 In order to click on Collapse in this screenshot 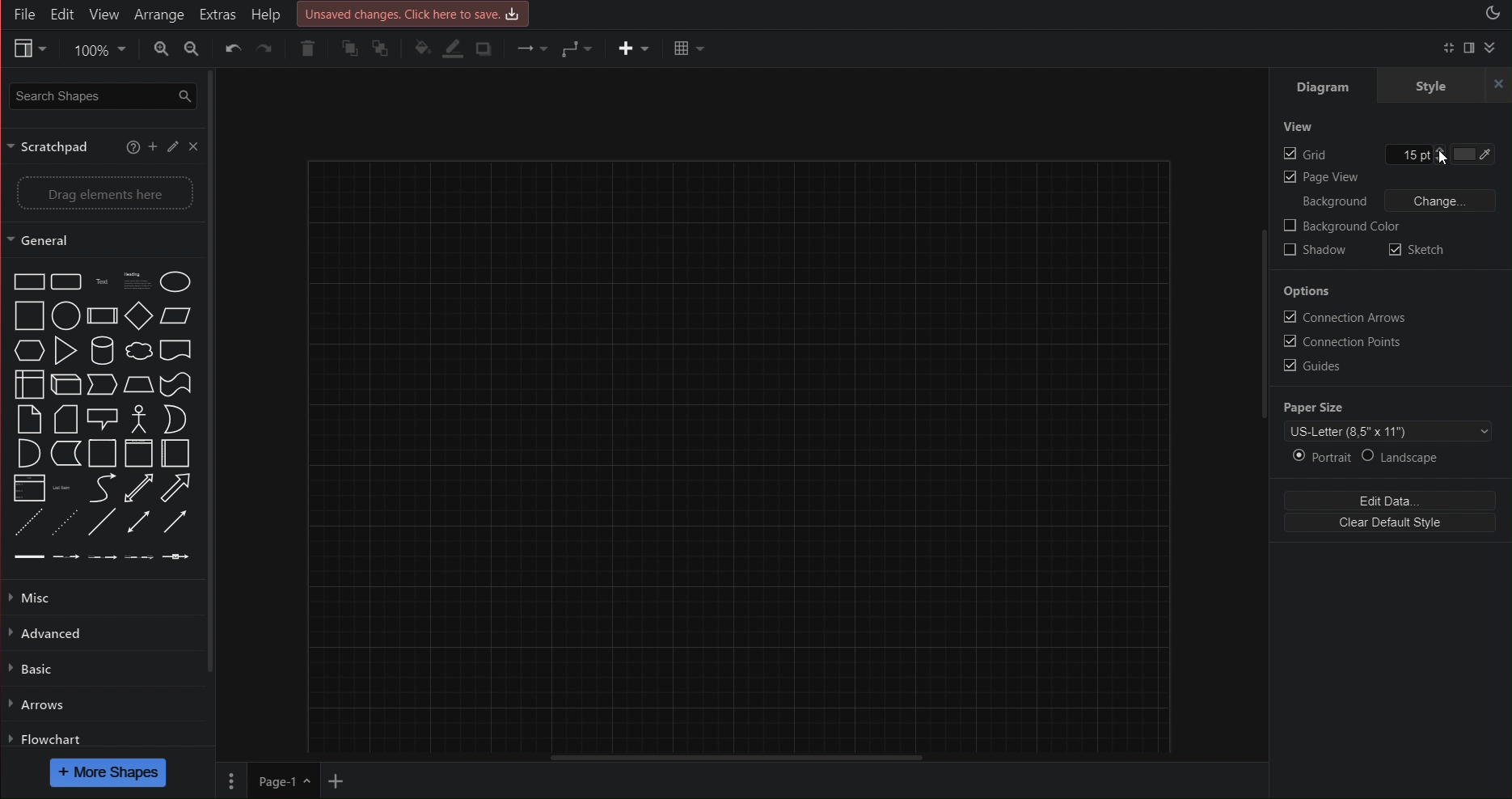, I will do `click(1492, 48)`.